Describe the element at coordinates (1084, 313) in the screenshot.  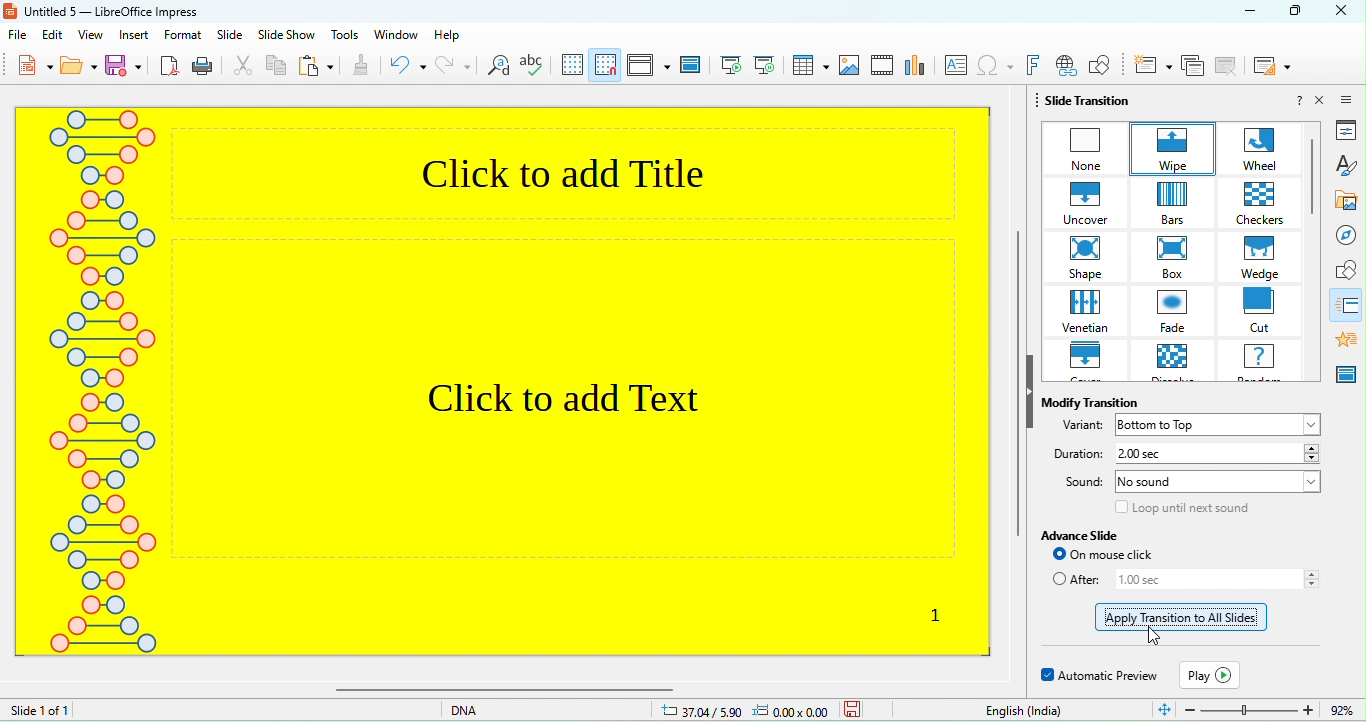
I see `venetian` at that location.